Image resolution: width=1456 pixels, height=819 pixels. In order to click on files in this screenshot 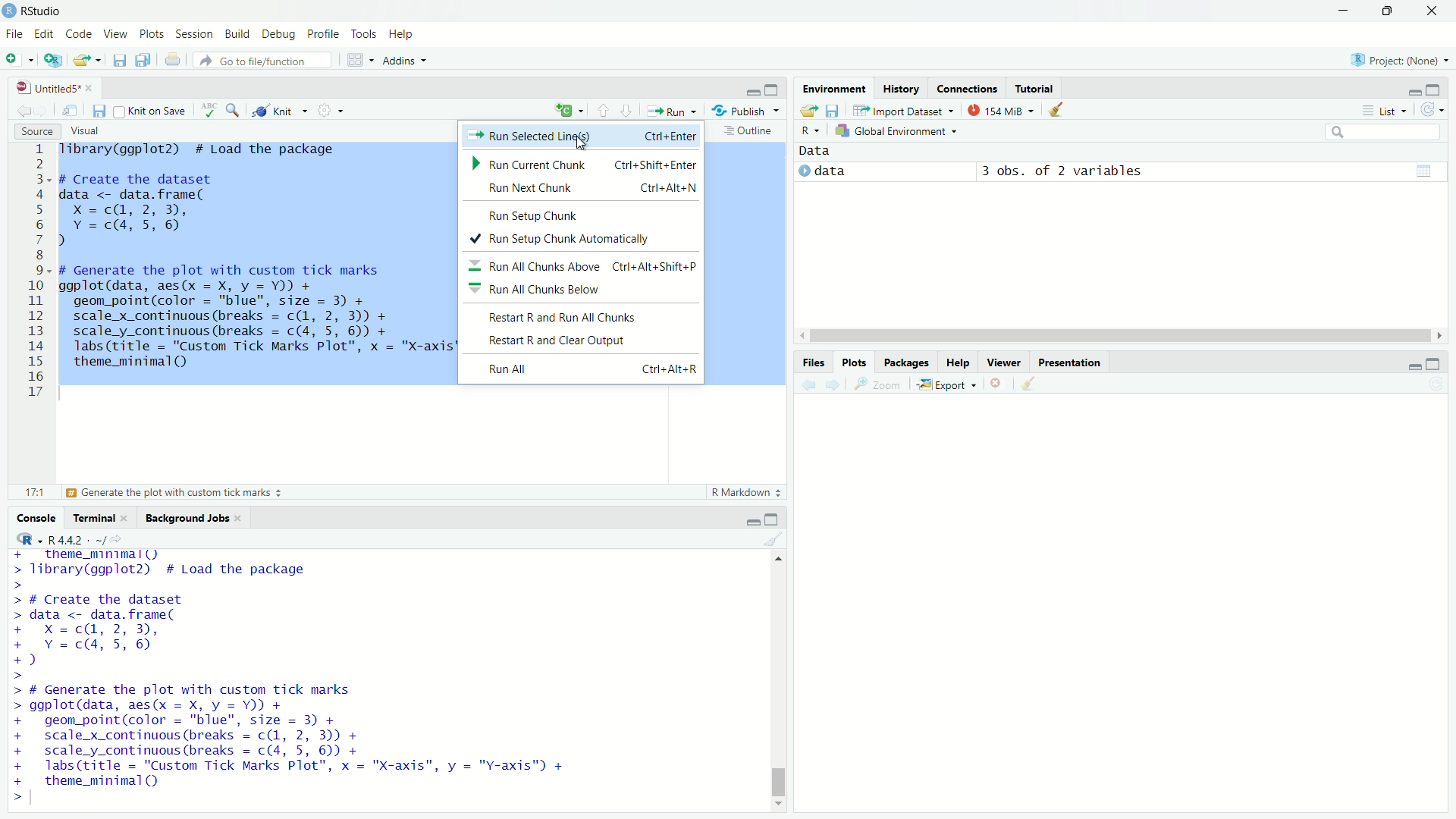, I will do `click(812, 361)`.